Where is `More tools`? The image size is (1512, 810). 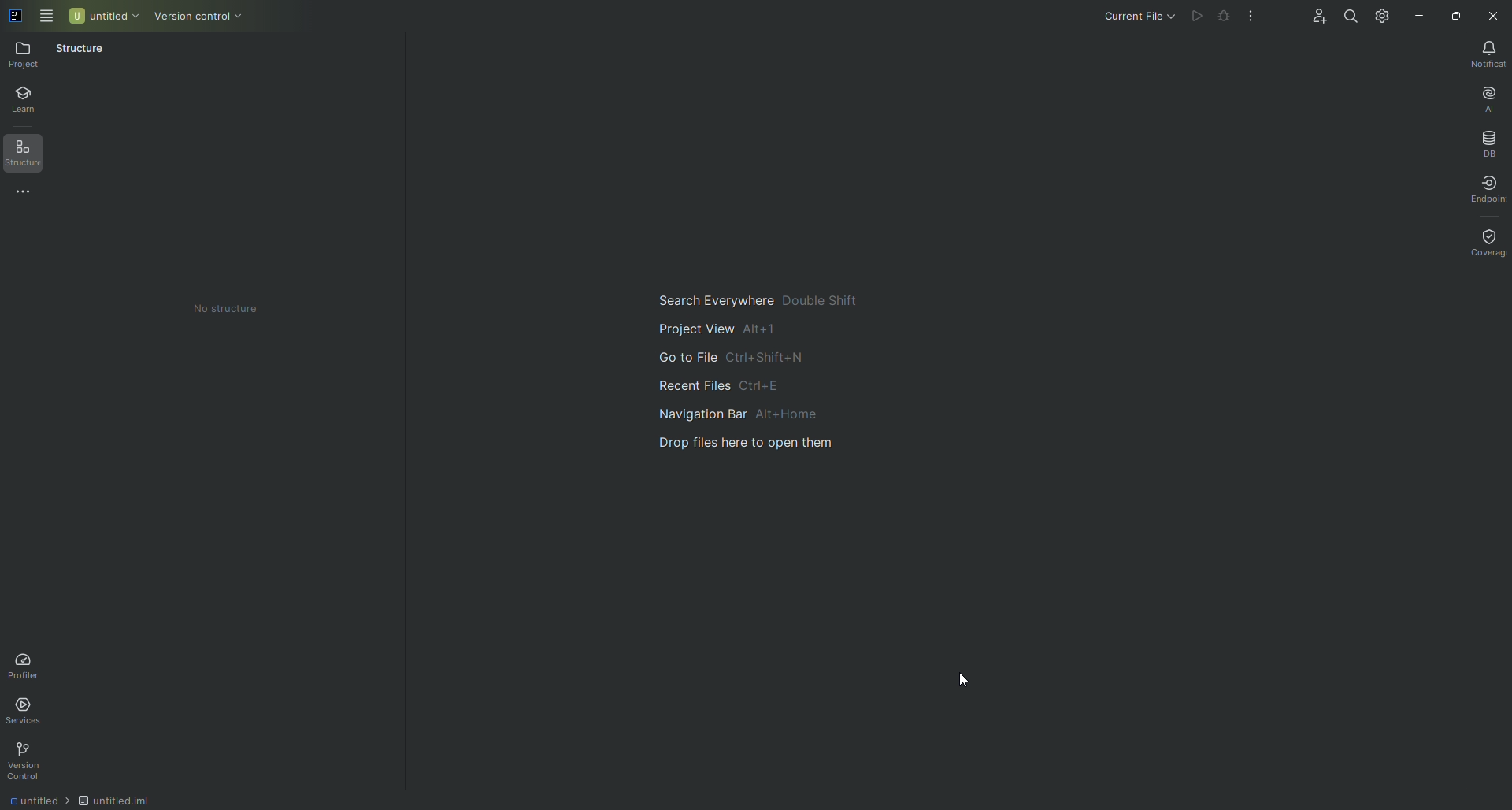
More tools is located at coordinates (29, 193).